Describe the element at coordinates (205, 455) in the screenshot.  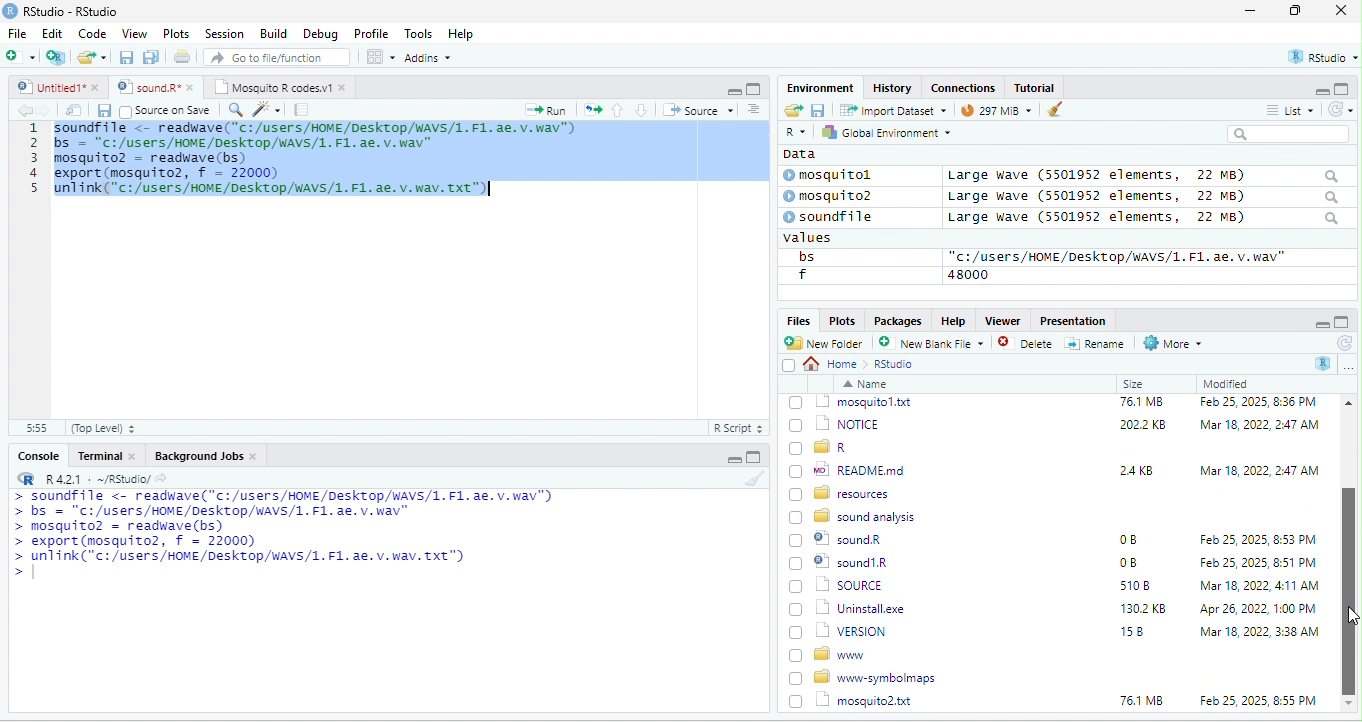
I see `Background Jobs` at that location.